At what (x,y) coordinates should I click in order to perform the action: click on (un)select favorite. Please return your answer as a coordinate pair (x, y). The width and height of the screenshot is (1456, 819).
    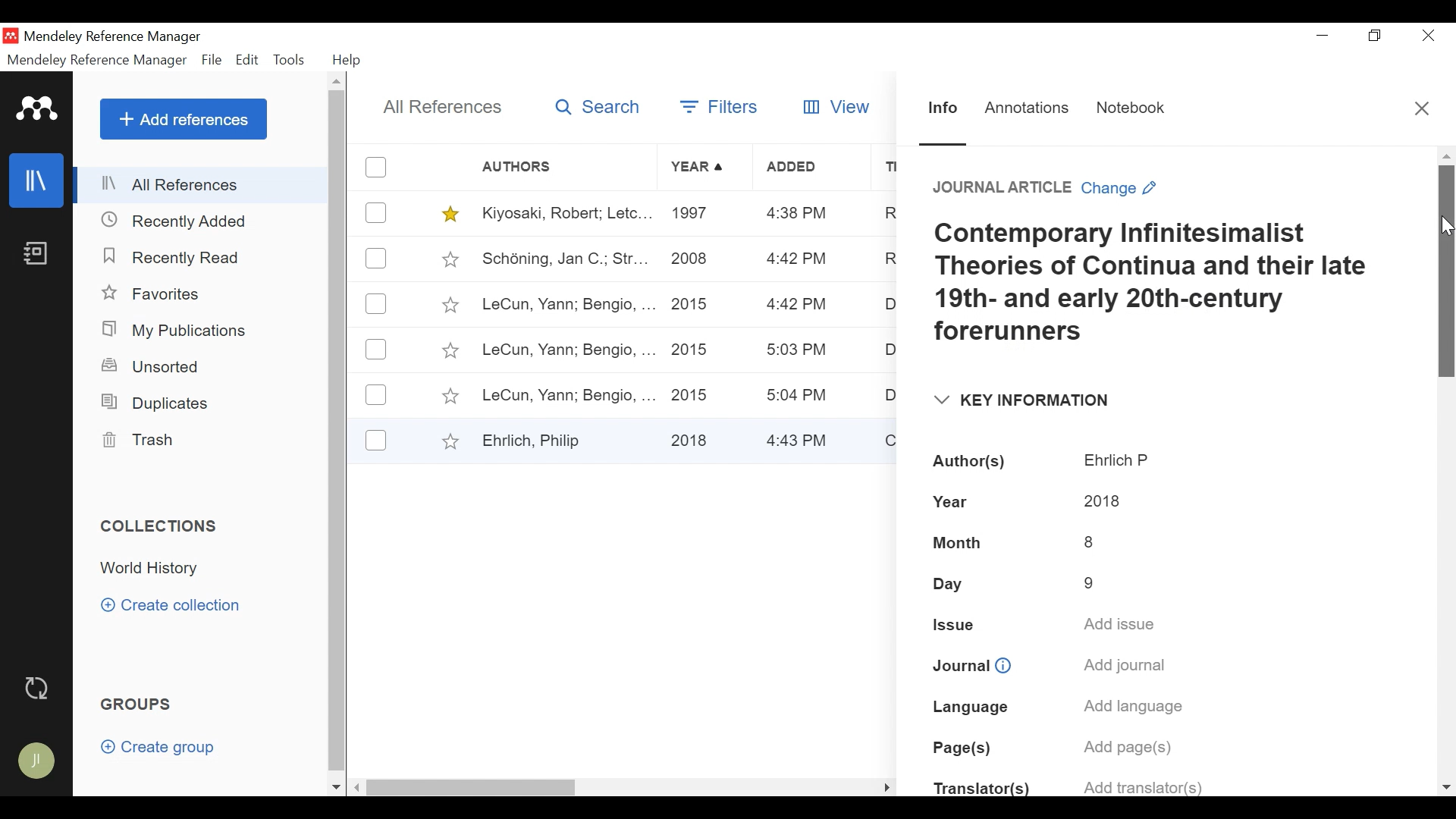
    Looking at the image, I should click on (449, 305).